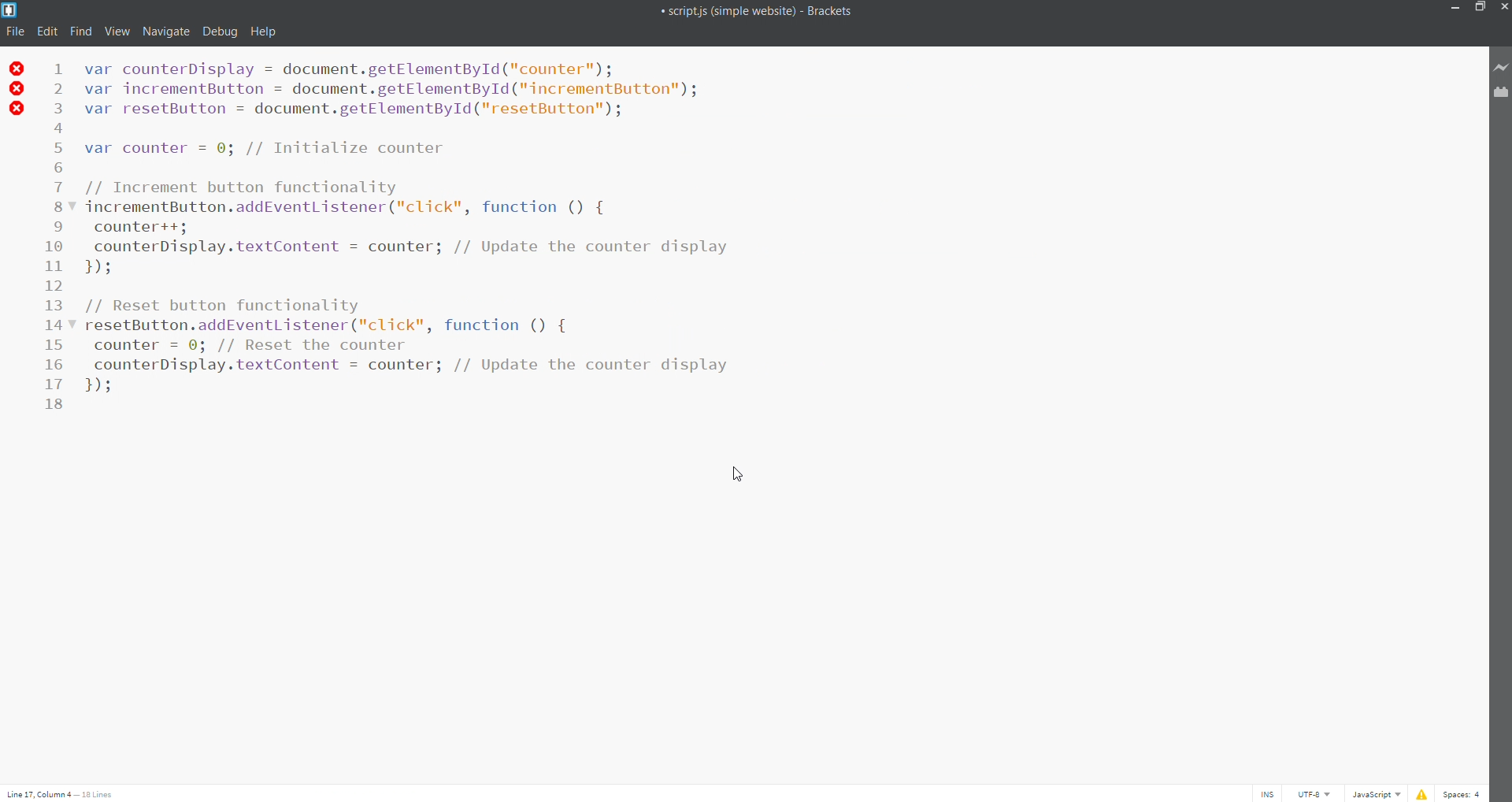  What do you see at coordinates (15, 90) in the screenshot?
I see `in line error status` at bounding box center [15, 90].